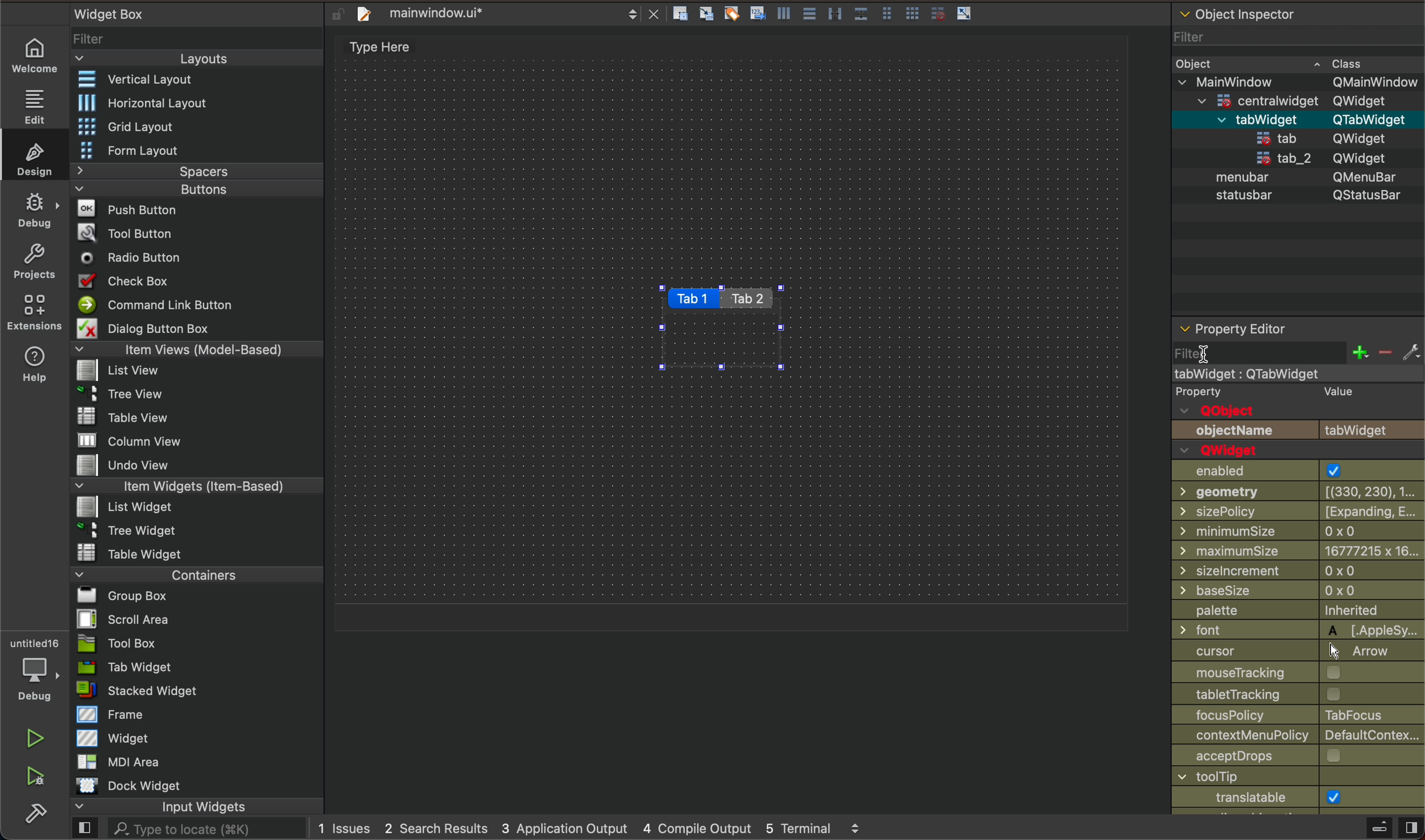  What do you see at coordinates (1298, 589) in the screenshot?
I see `base size` at bounding box center [1298, 589].